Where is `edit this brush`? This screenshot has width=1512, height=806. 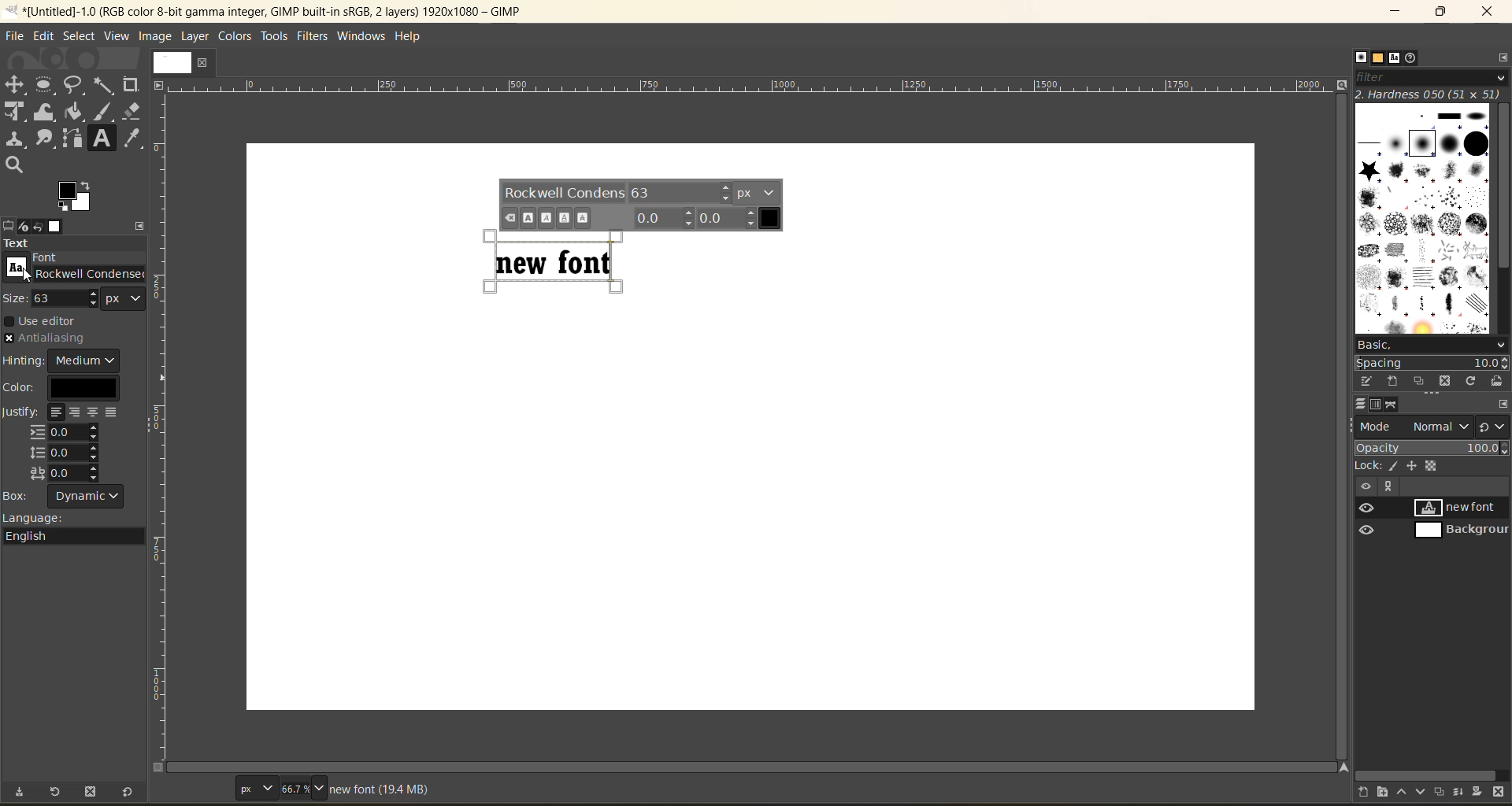
edit this brush is located at coordinates (1366, 381).